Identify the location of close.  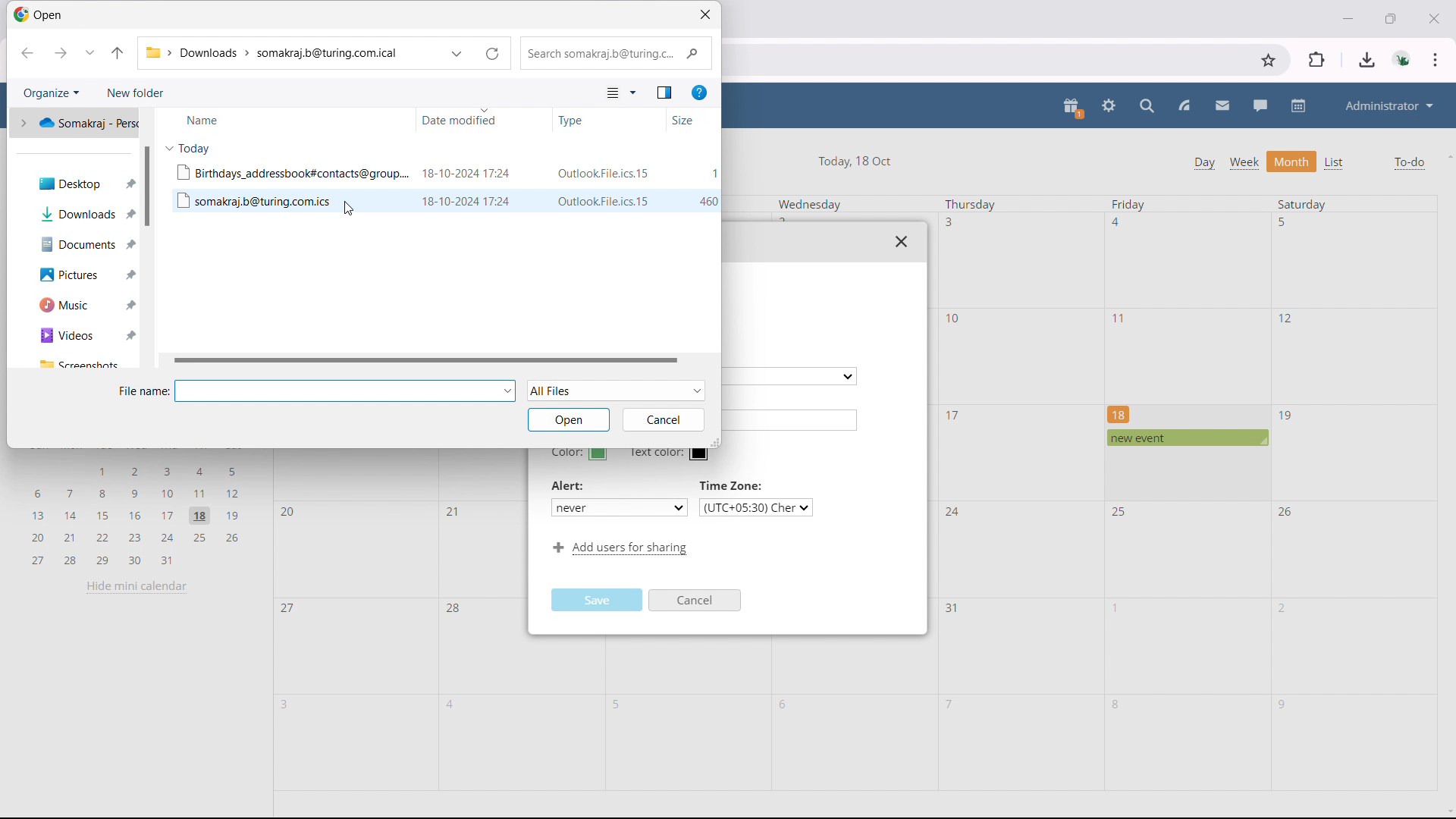
(1432, 17).